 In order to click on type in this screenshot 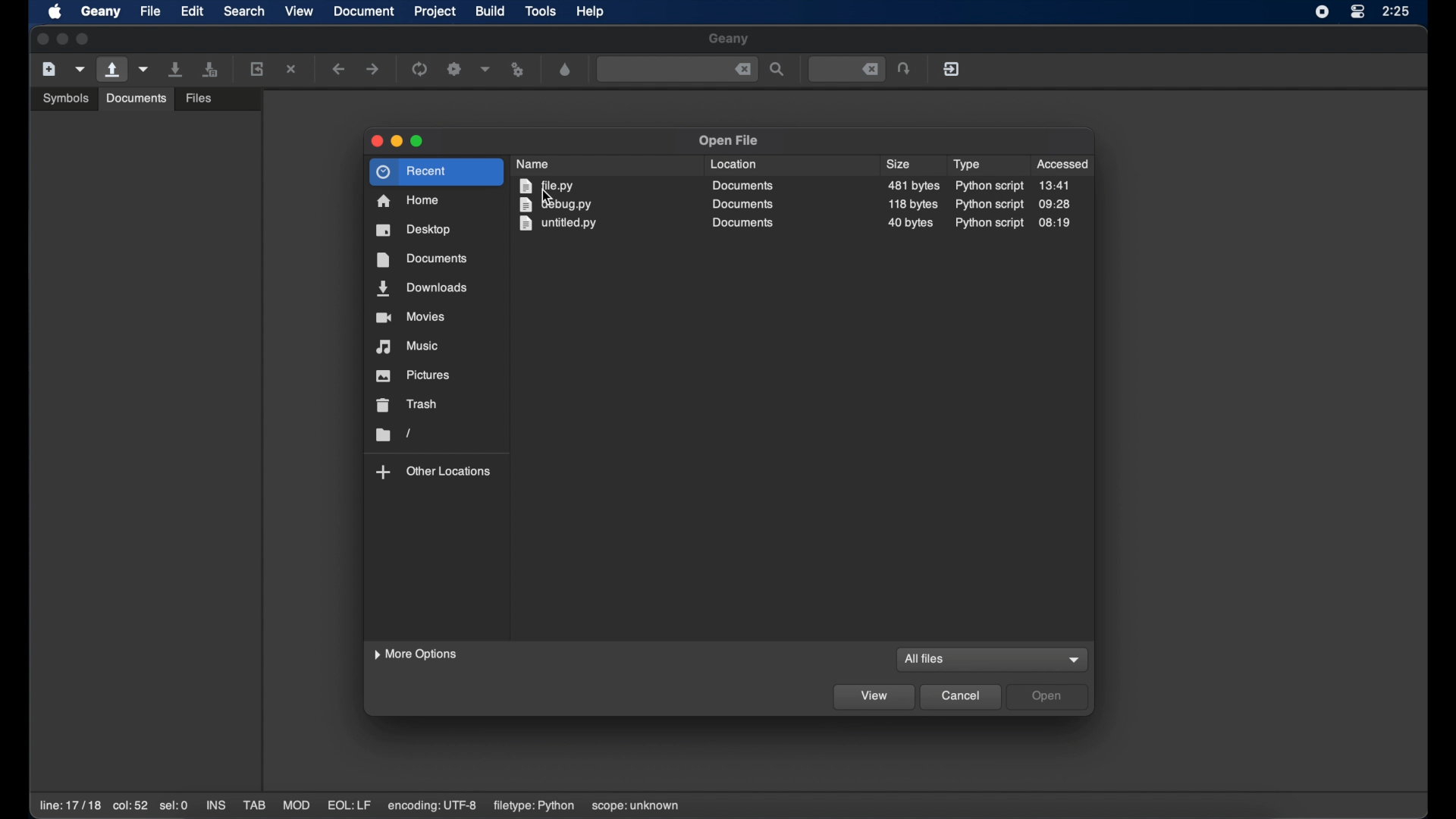, I will do `click(966, 165)`.